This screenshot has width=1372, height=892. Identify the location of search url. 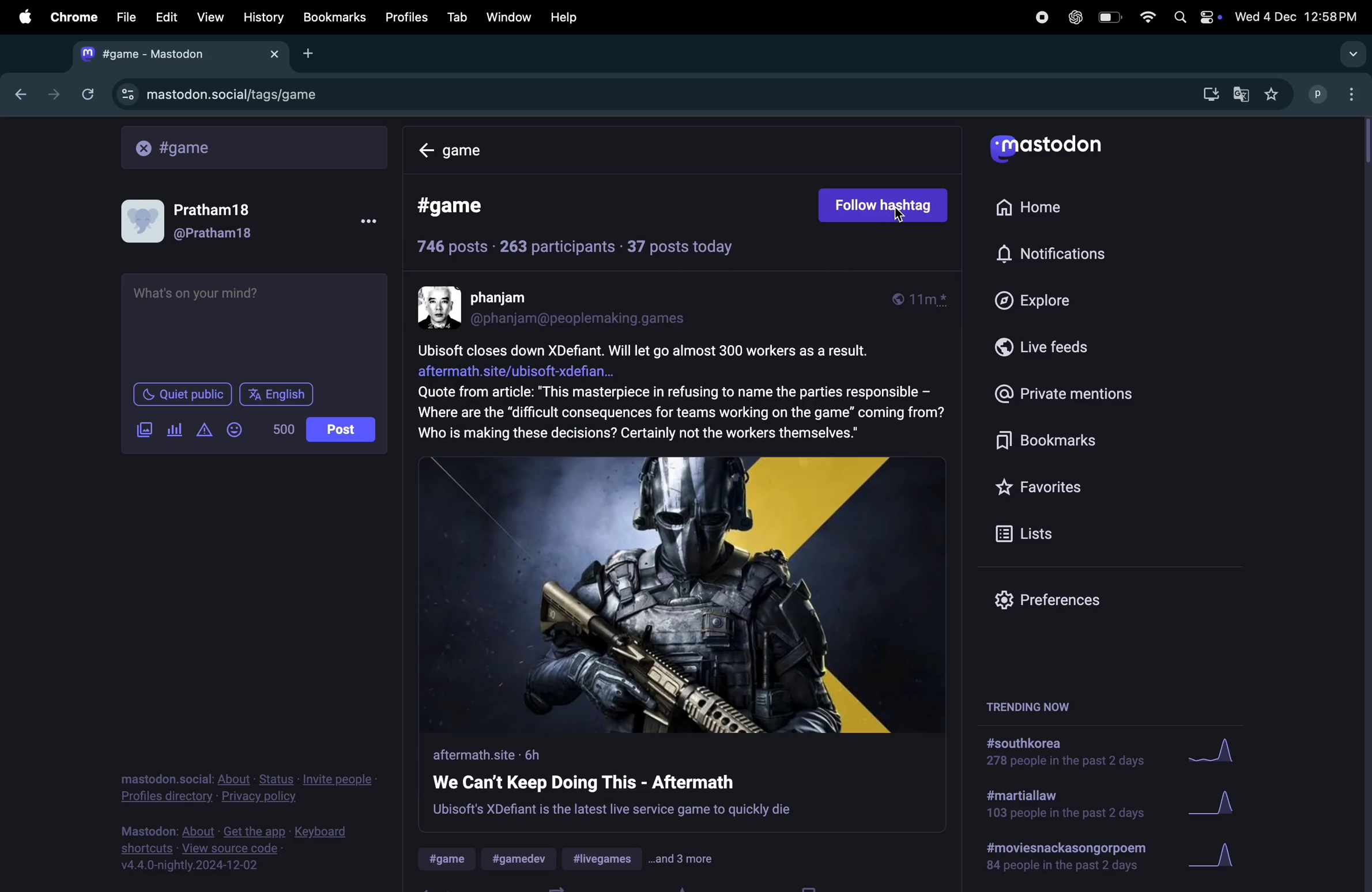
(255, 147).